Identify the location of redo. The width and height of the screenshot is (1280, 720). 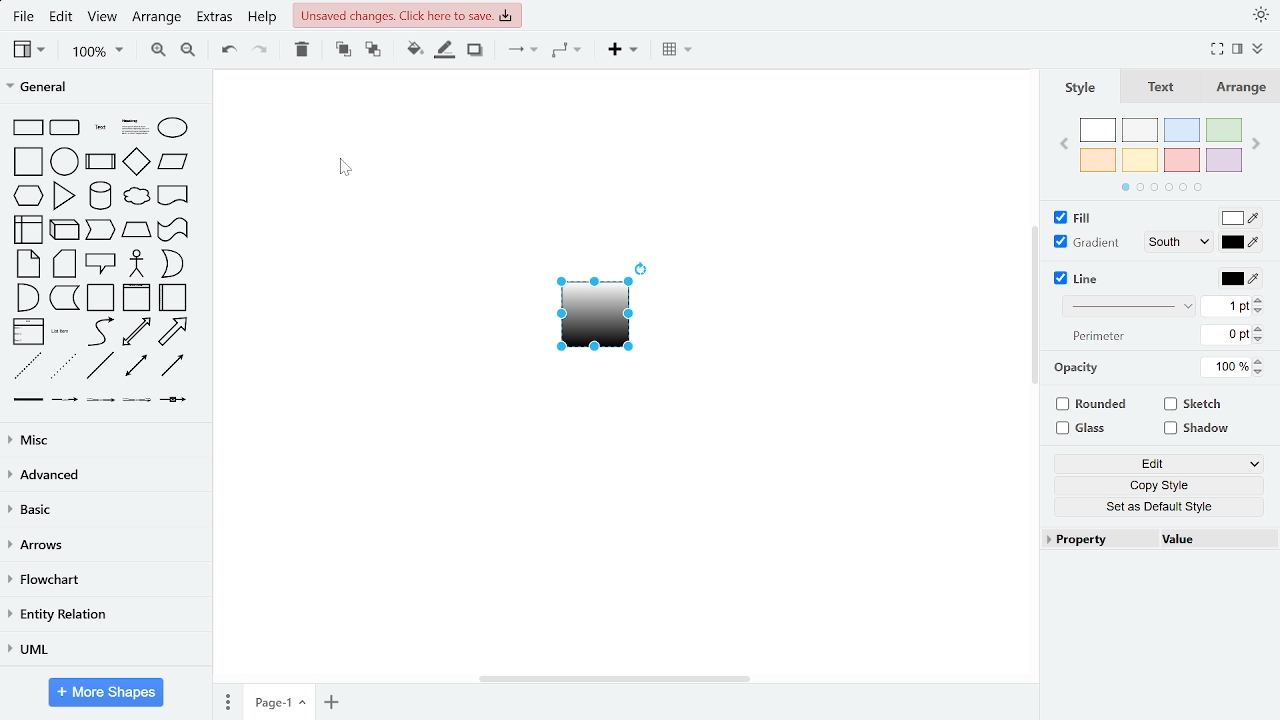
(262, 51).